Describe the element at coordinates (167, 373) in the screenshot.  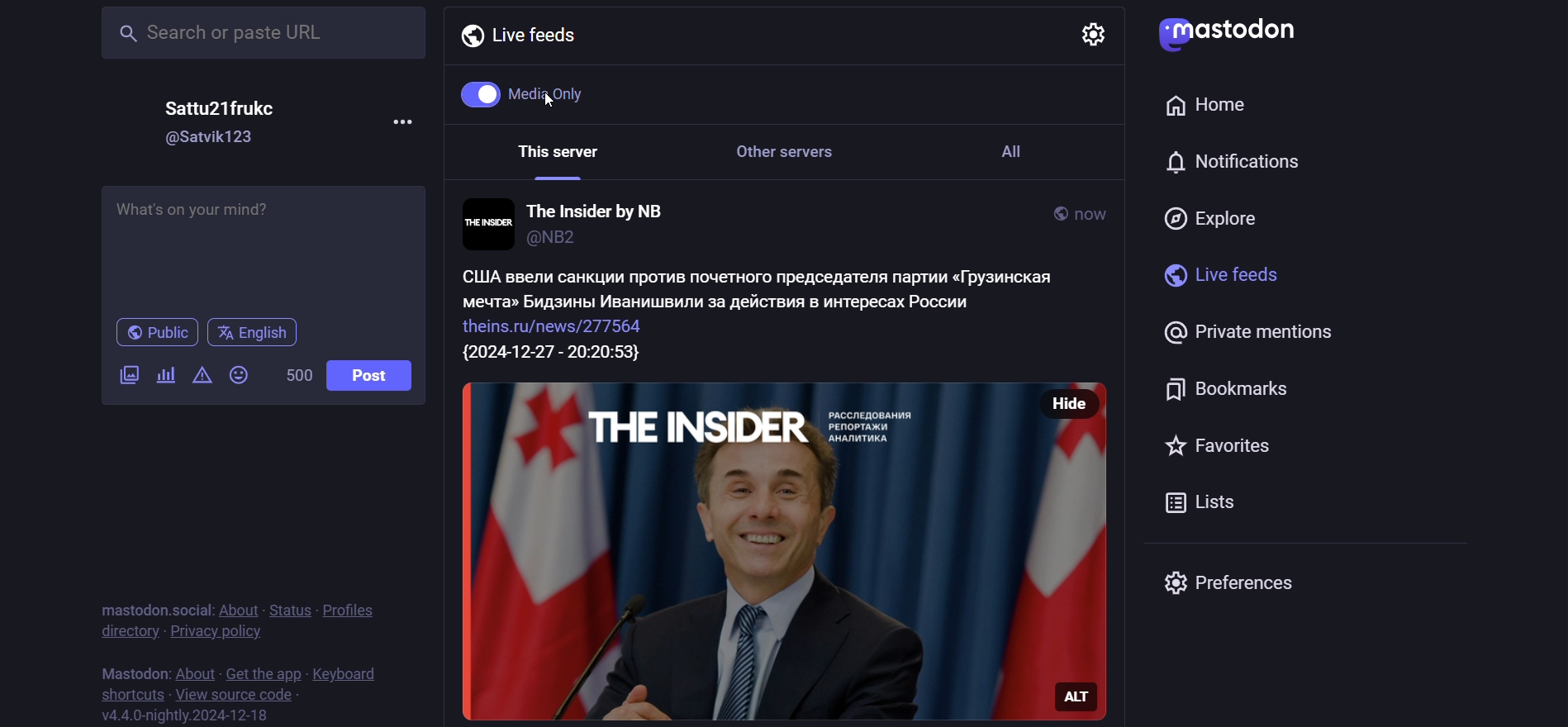
I see `poll` at that location.